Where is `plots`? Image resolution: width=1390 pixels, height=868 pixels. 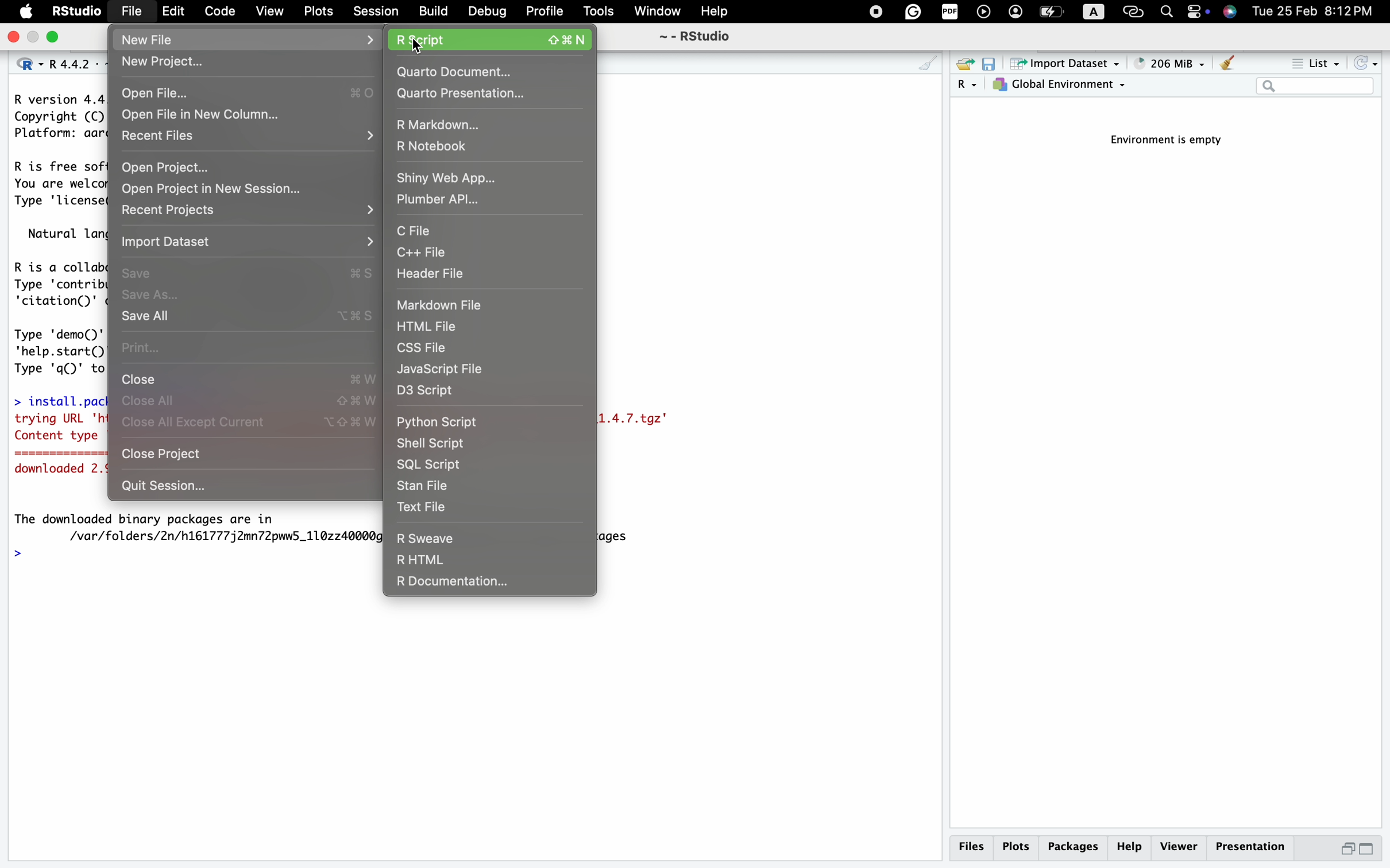
plots is located at coordinates (316, 11).